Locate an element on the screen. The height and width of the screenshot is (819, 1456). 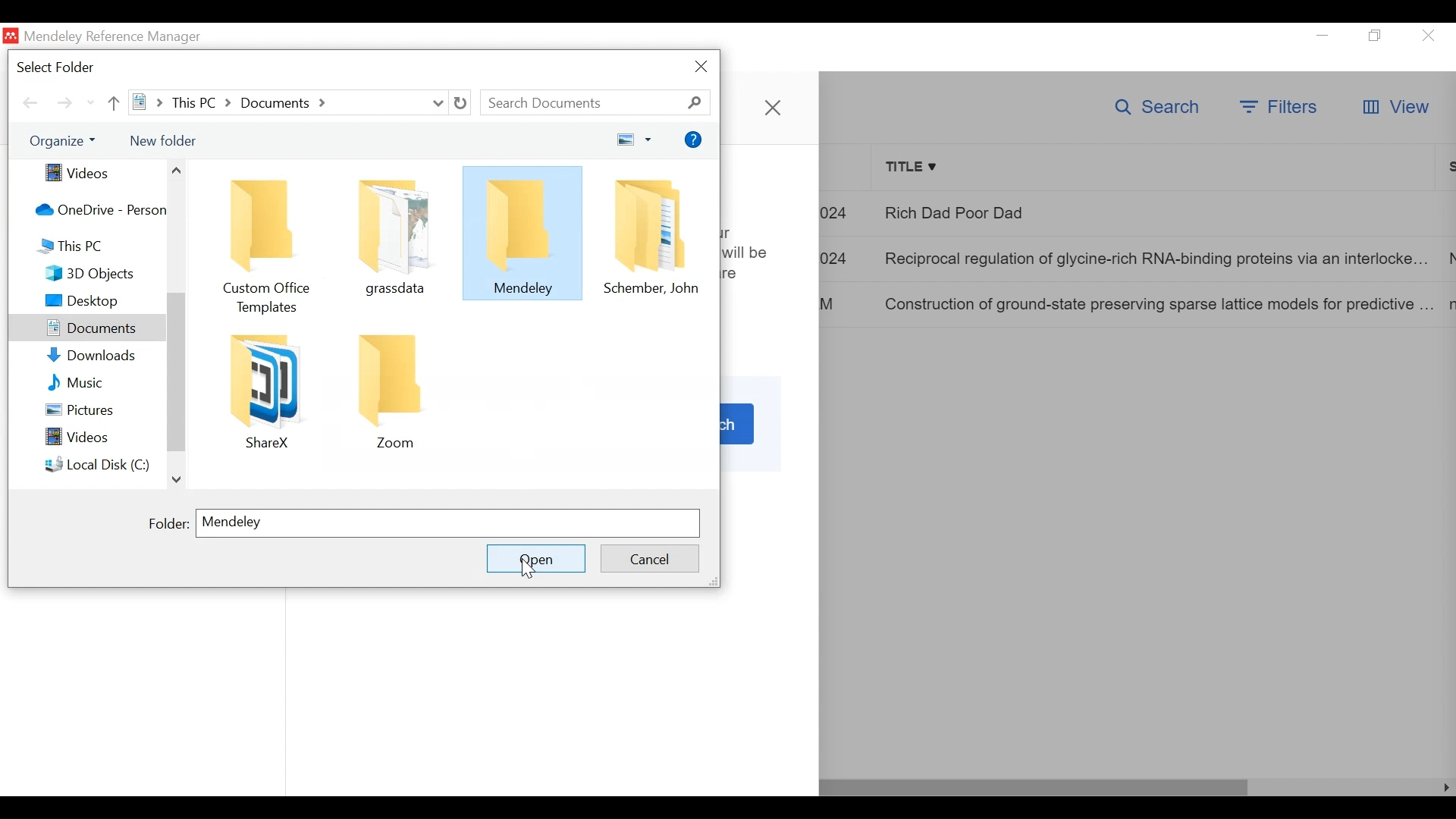
Folder is located at coordinates (265, 390).